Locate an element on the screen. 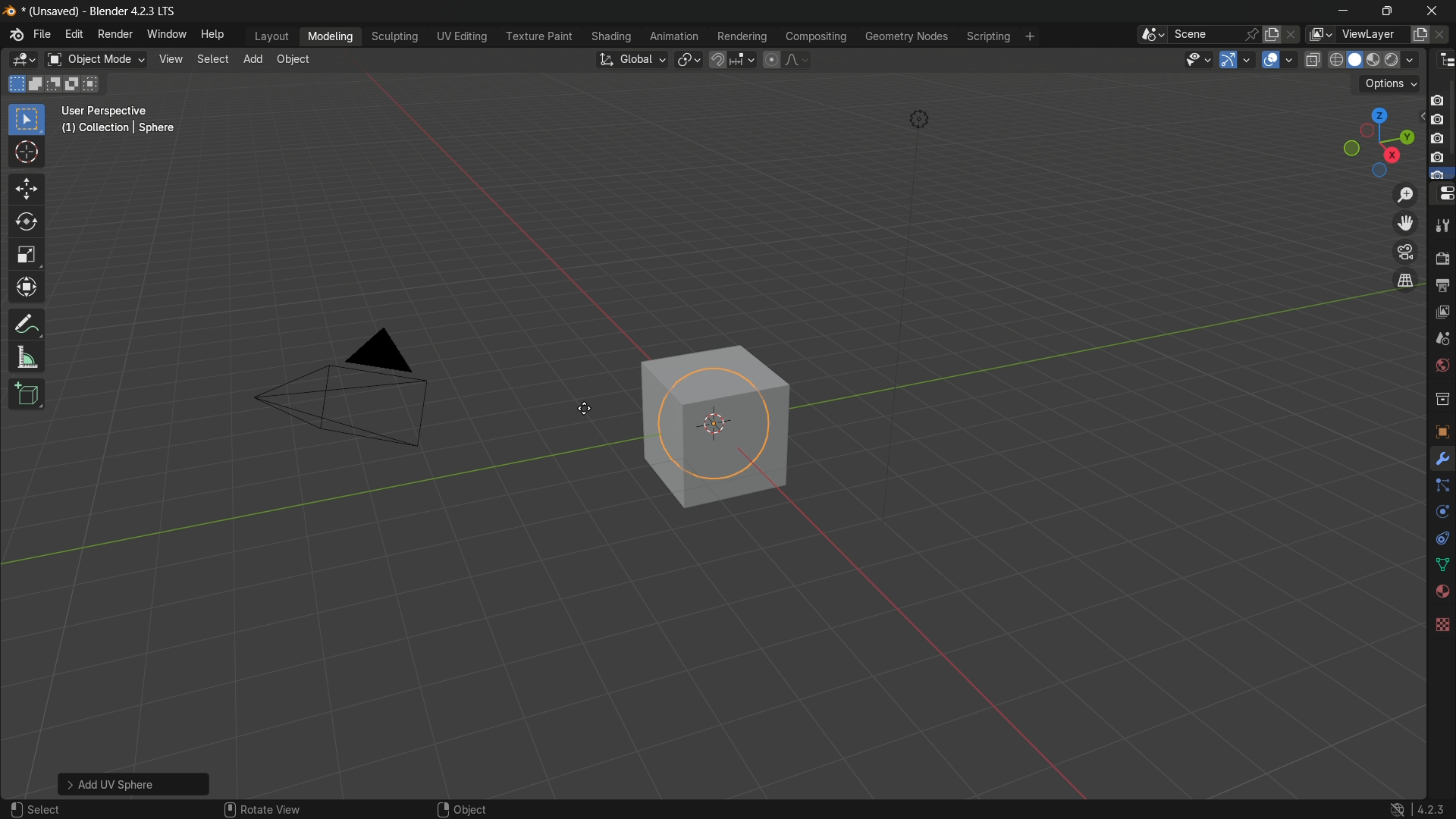  show gizmo is located at coordinates (1229, 60).